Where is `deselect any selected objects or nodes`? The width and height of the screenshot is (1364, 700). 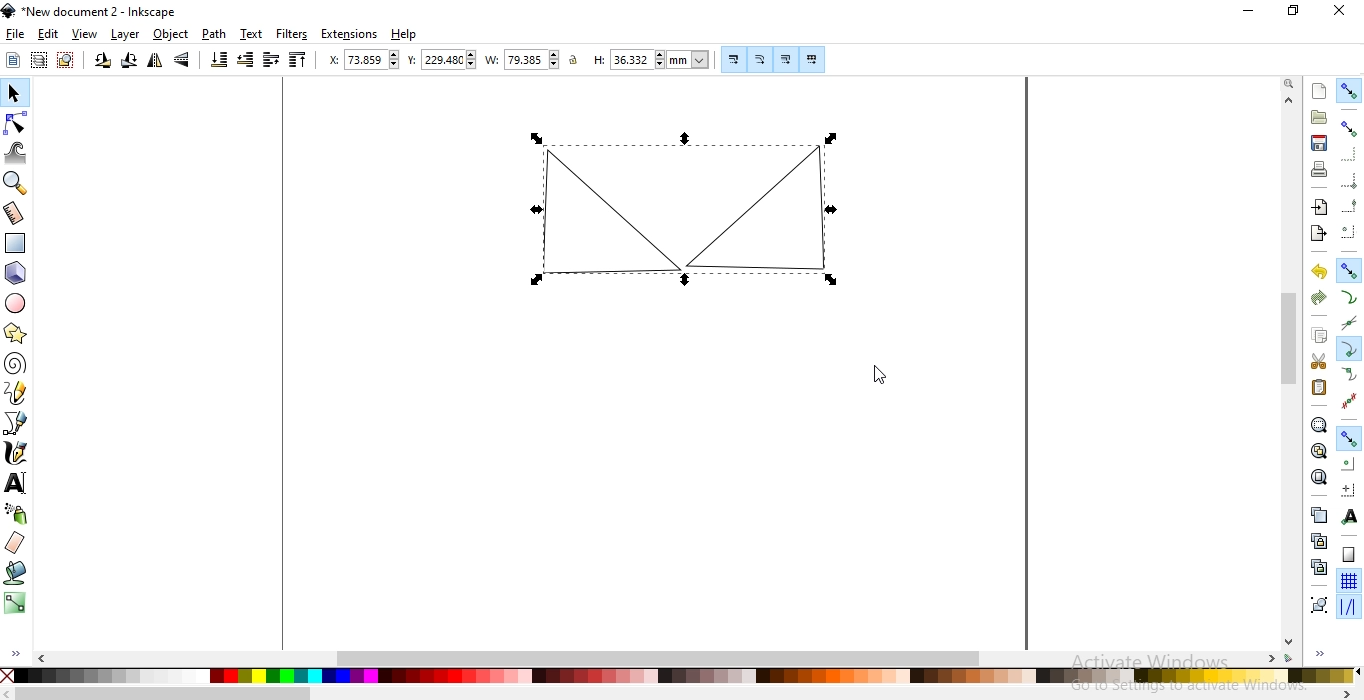 deselect any selected objects or nodes is located at coordinates (67, 61).